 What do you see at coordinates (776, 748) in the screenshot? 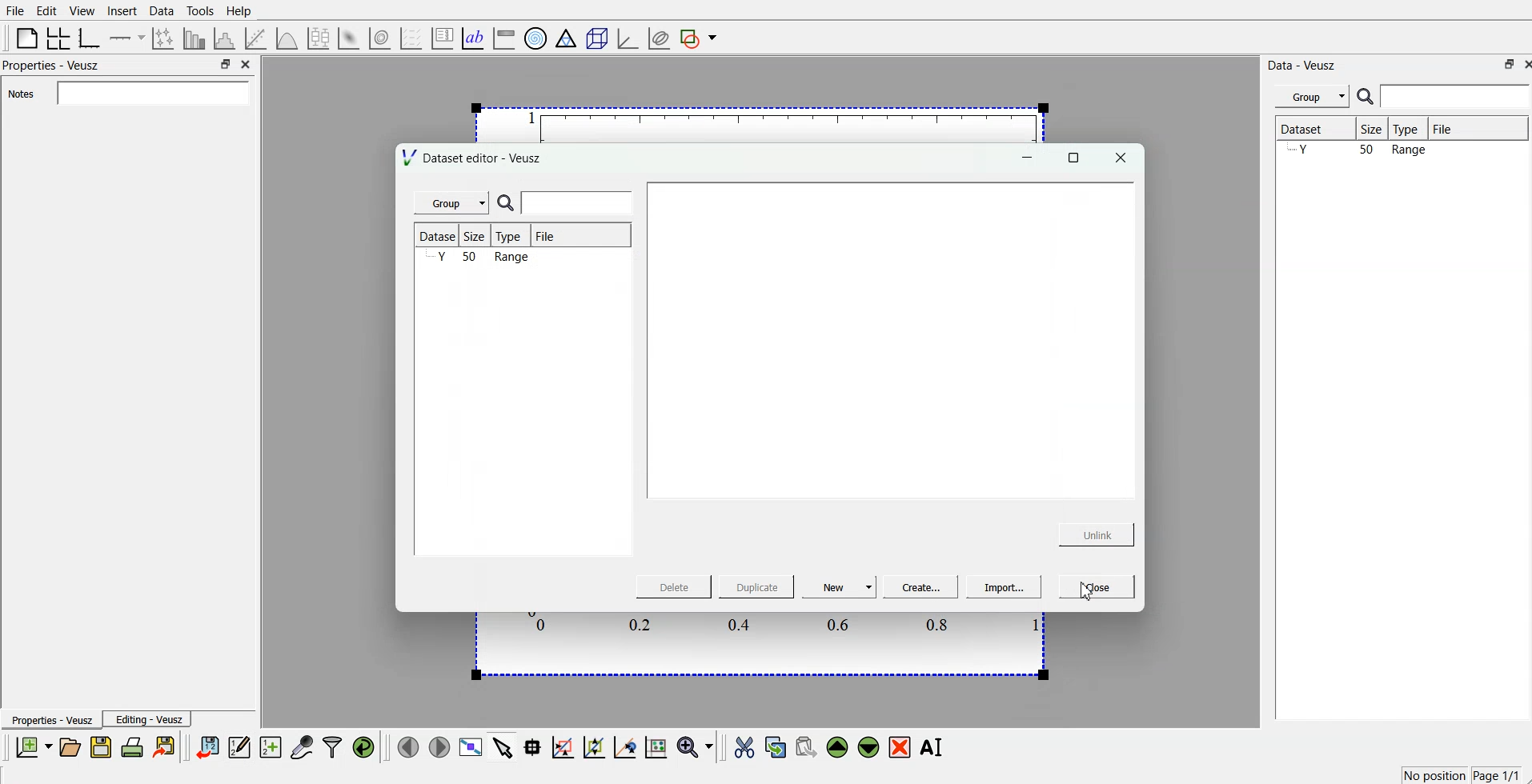
I see `copy the selected widgets` at bounding box center [776, 748].